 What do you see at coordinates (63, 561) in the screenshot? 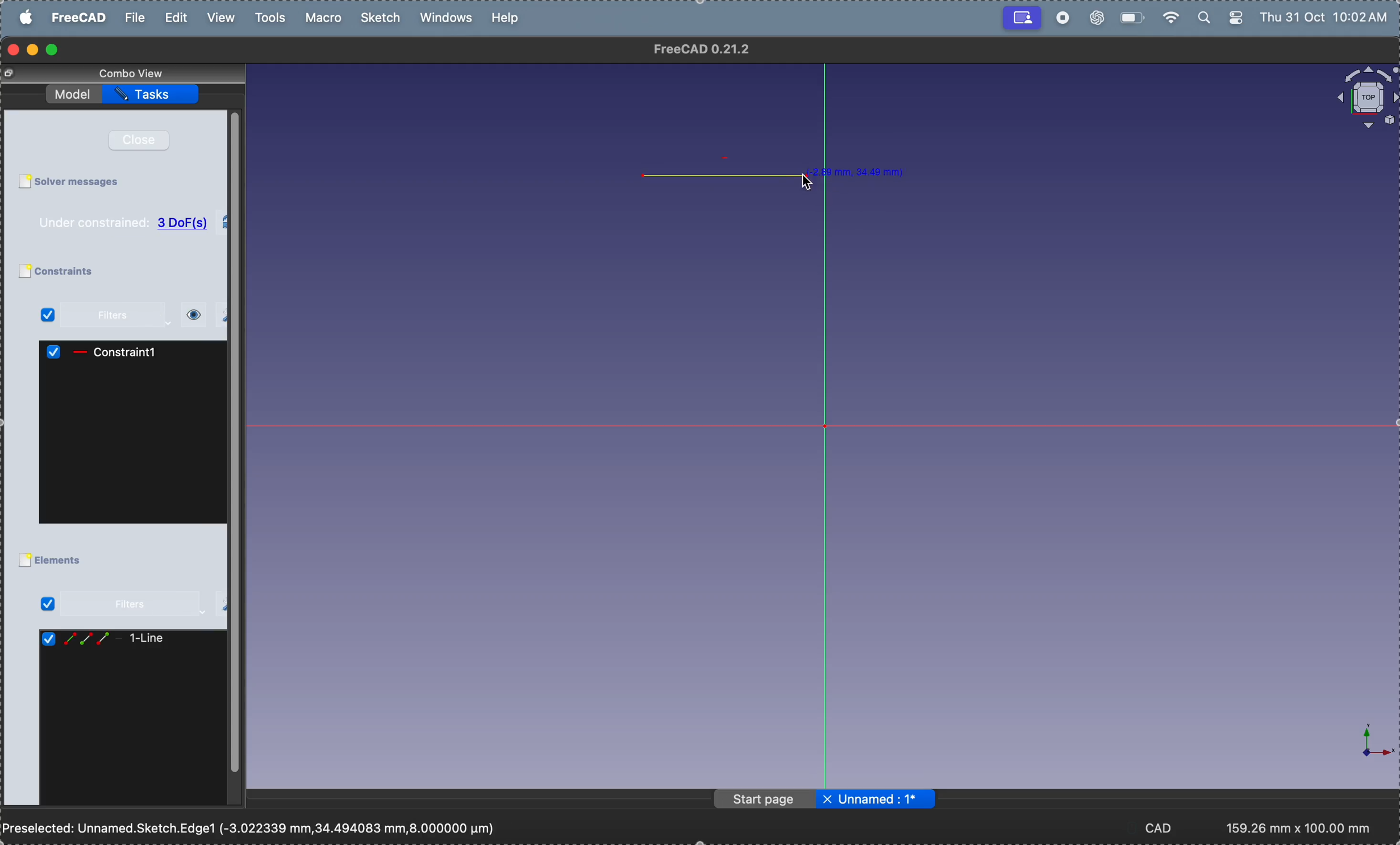
I see `elements` at bounding box center [63, 561].